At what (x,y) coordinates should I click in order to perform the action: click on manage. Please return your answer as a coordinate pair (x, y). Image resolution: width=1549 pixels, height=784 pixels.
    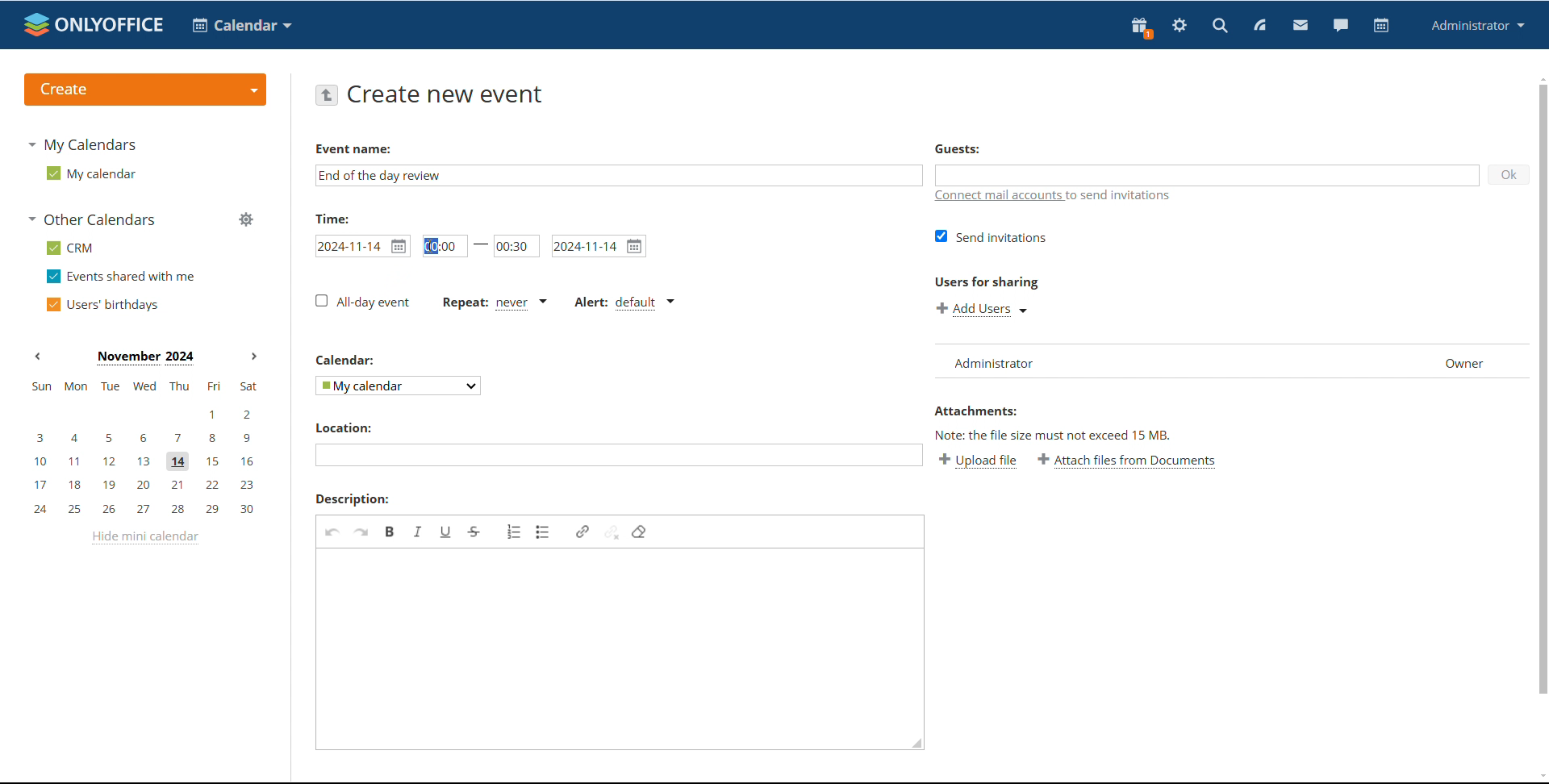
    Looking at the image, I should click on (247, 221).